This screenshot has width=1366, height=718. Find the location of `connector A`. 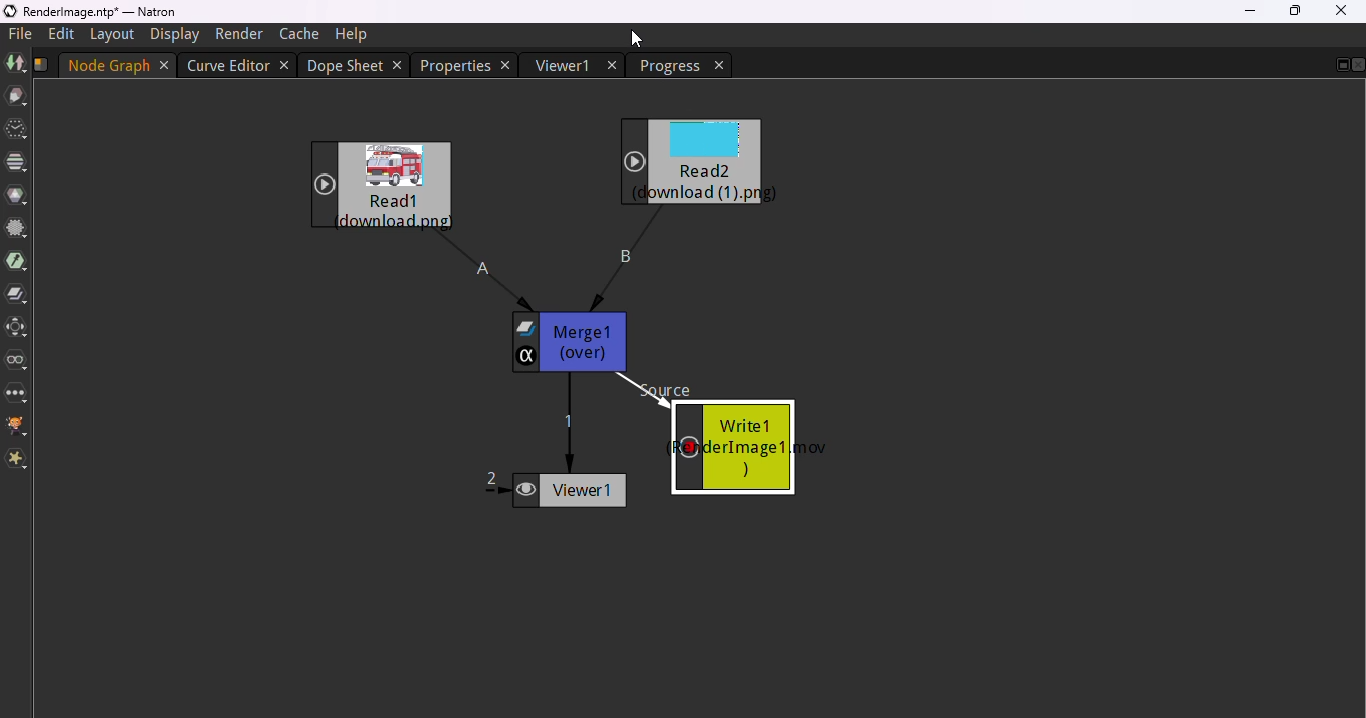

connector A is located at coordinates (489, 271).